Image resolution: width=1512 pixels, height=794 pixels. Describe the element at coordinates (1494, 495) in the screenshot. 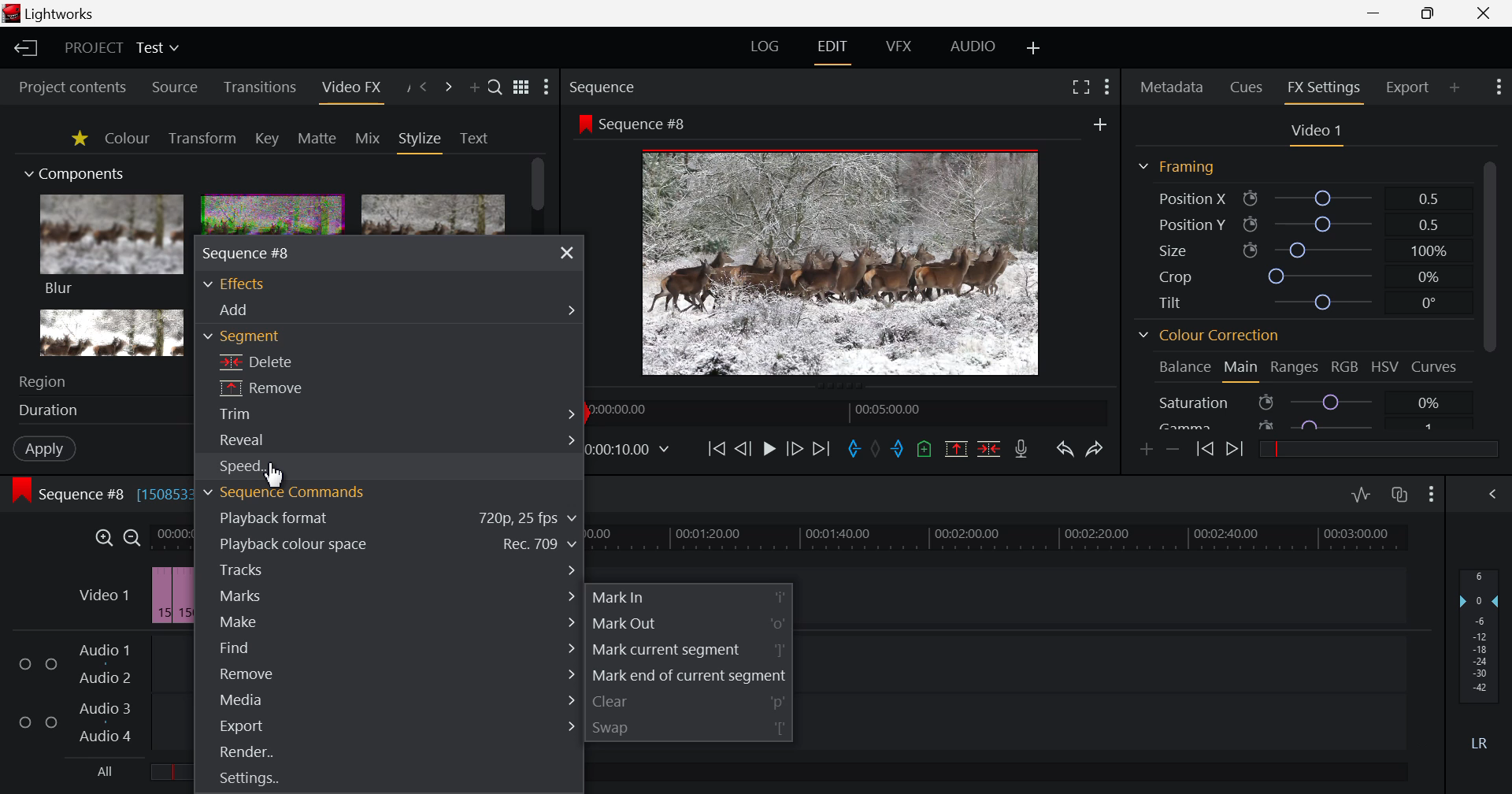

I see `Show Audio Mix` at that location.